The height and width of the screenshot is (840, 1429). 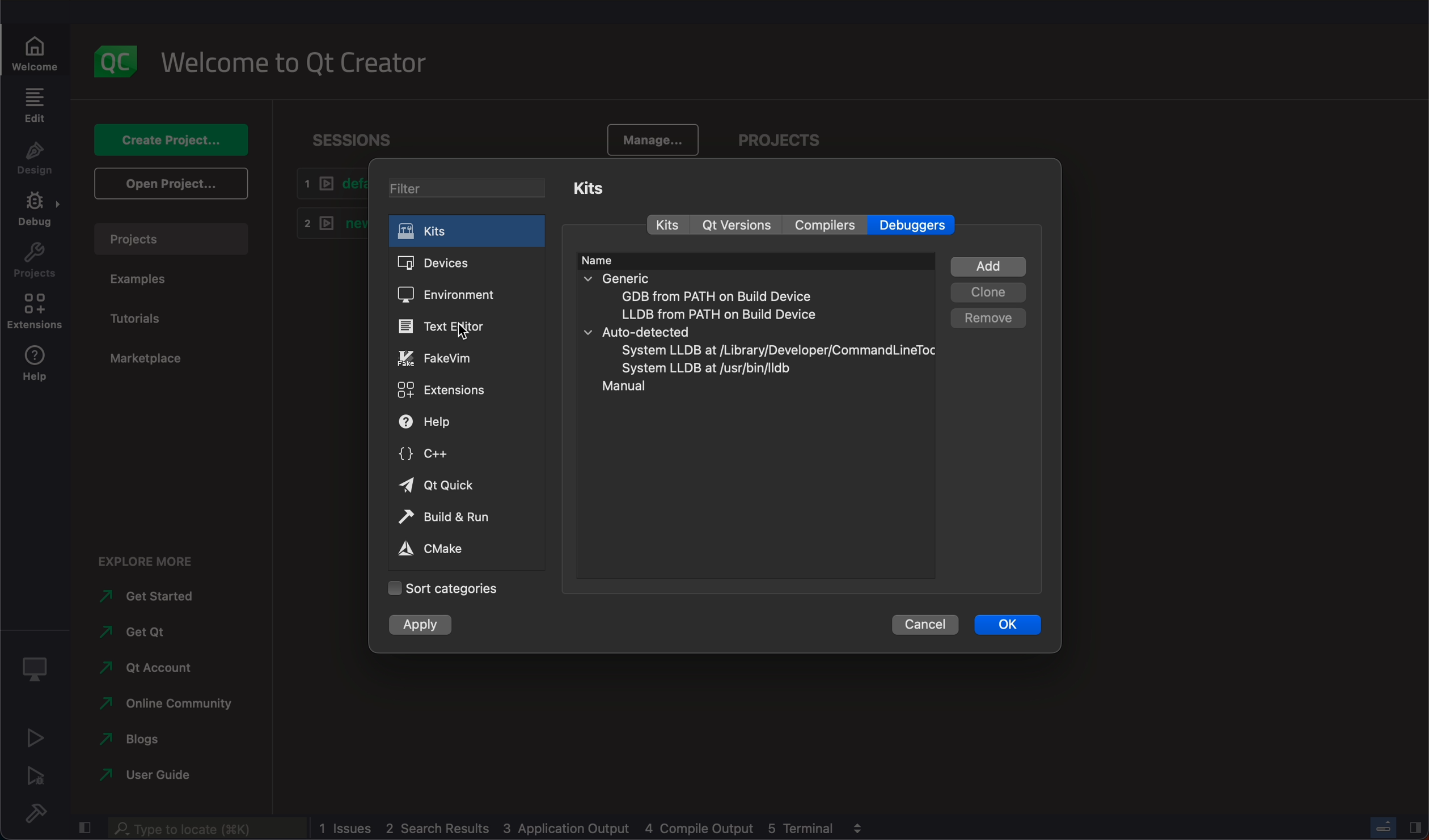 What do you see at coordinates (326, 226) in the screenshot?
I see `new1` at bounding box center [326, 226].